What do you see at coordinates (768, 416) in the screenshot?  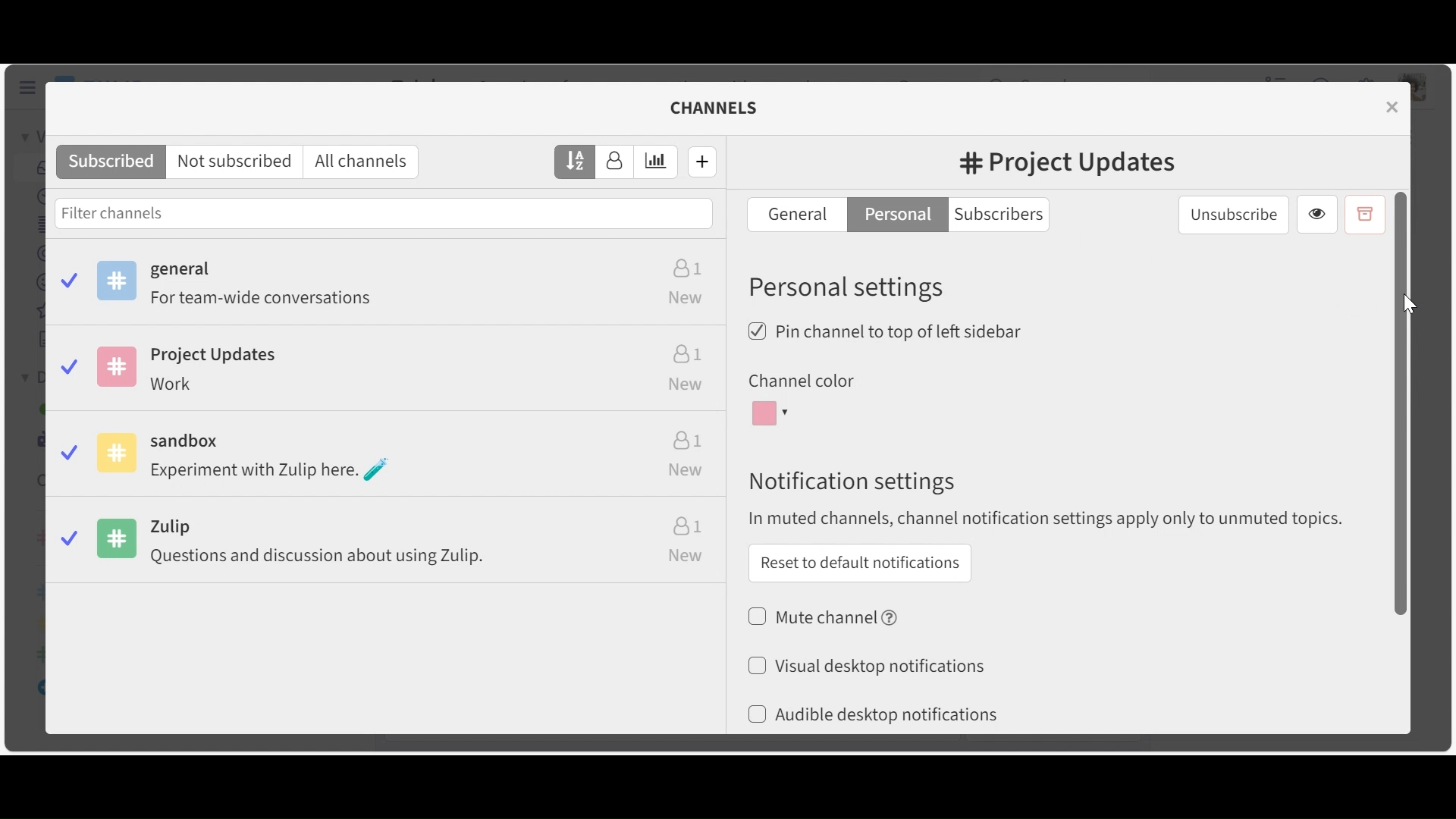 I see `Channel color dropdown menu` at bounding box center [768, 416].